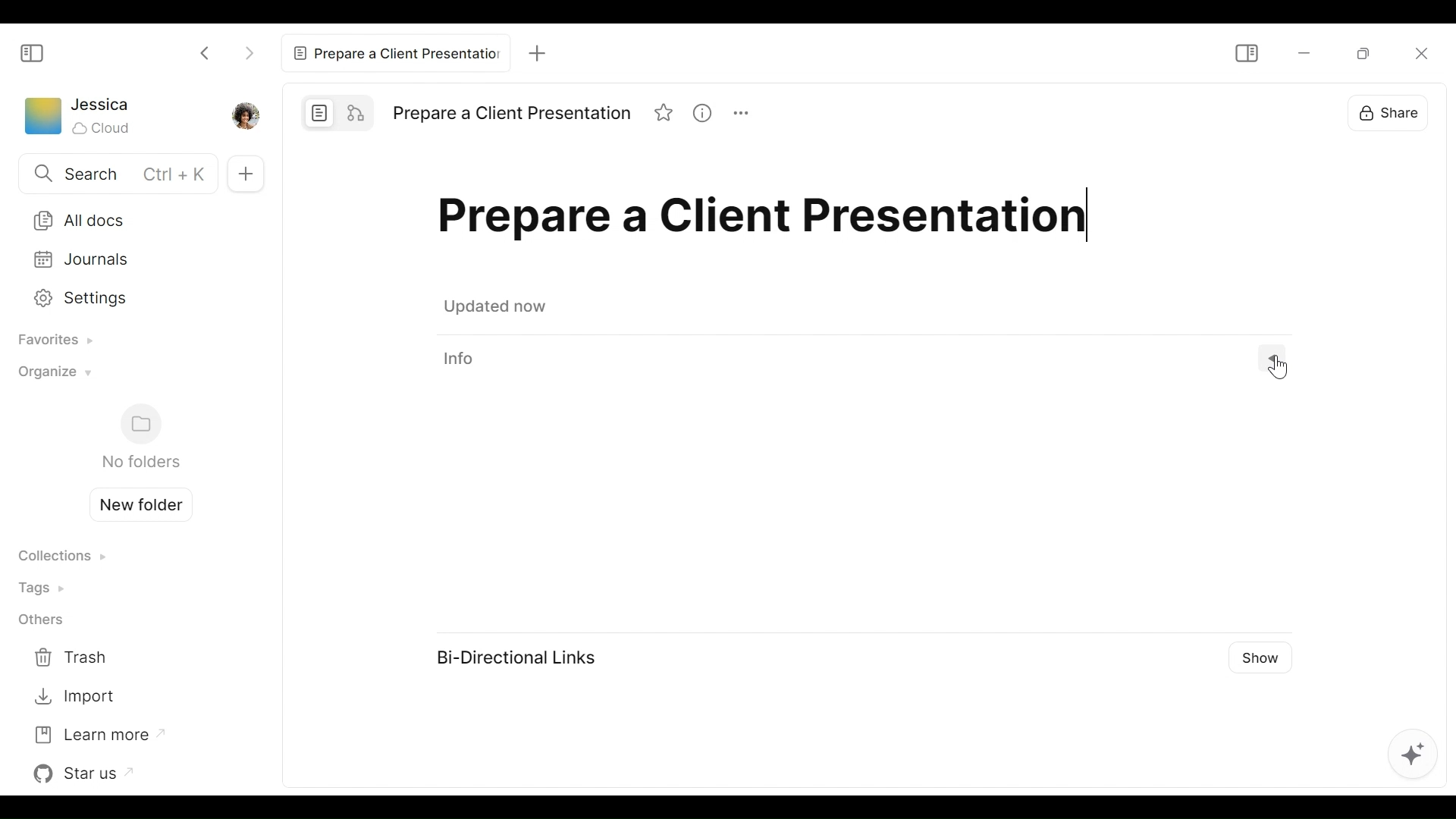  I want to click on Username, so click(102, 105).